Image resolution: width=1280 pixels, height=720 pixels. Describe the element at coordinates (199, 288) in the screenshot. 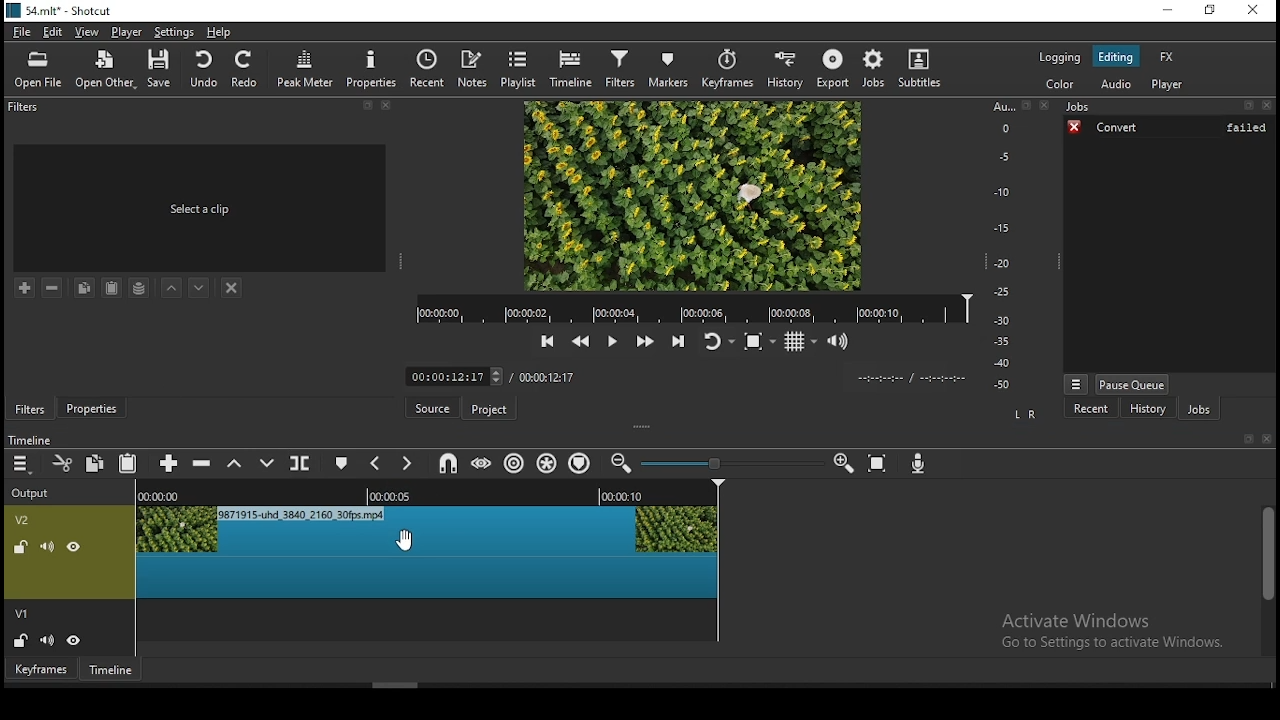

I see `move filter down` at that location.